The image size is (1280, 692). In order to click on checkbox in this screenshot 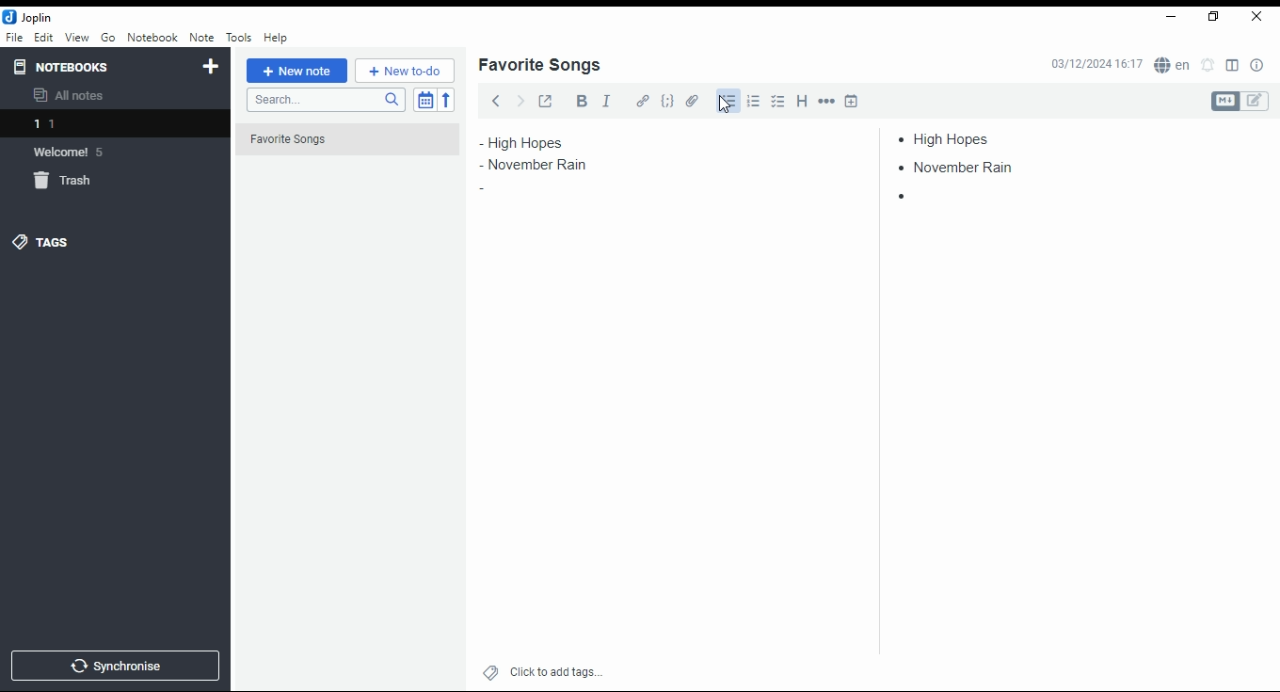, I will do `click(776, 103)`.